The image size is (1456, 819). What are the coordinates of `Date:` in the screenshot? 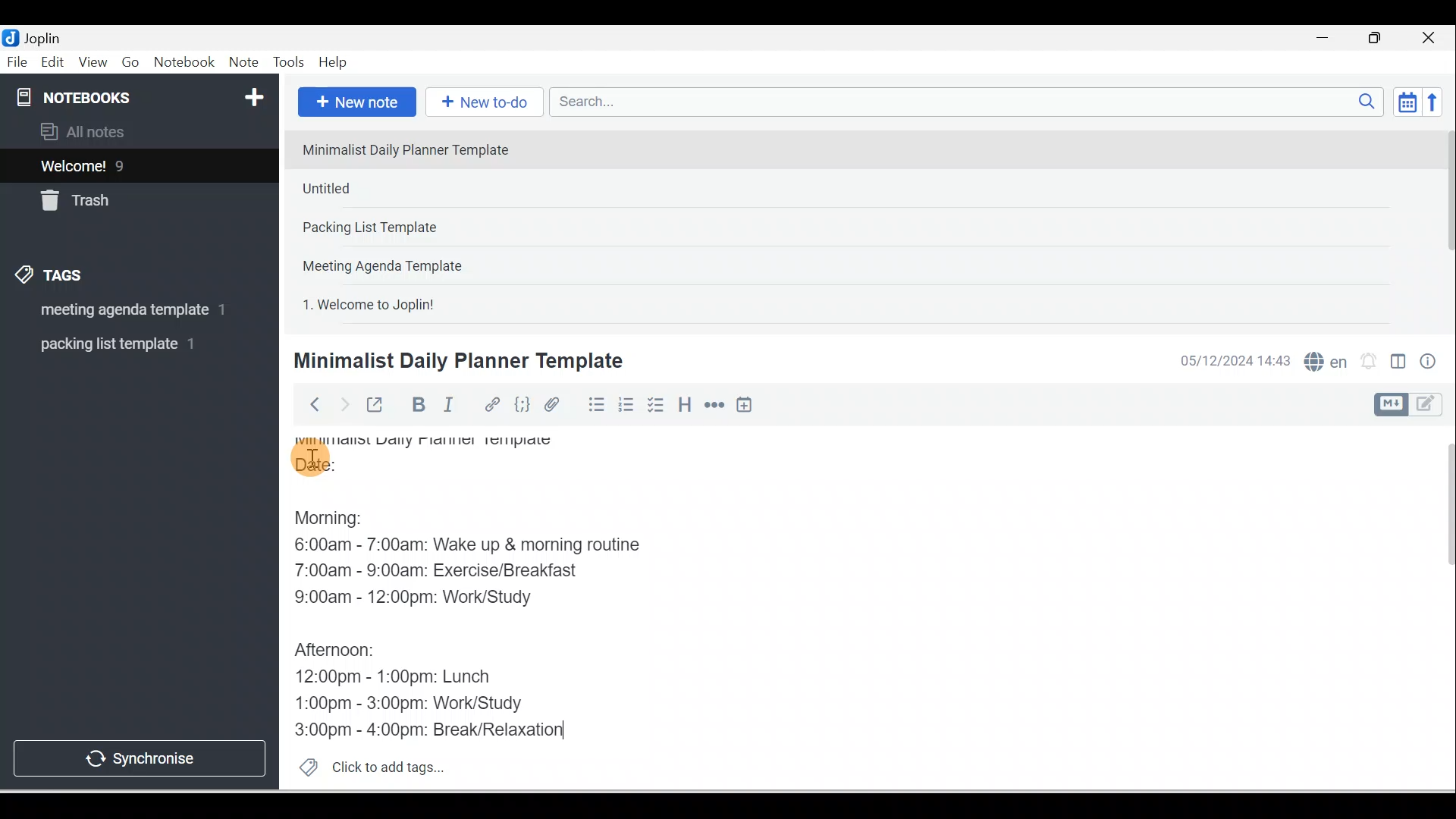 It's located at (357, 469).